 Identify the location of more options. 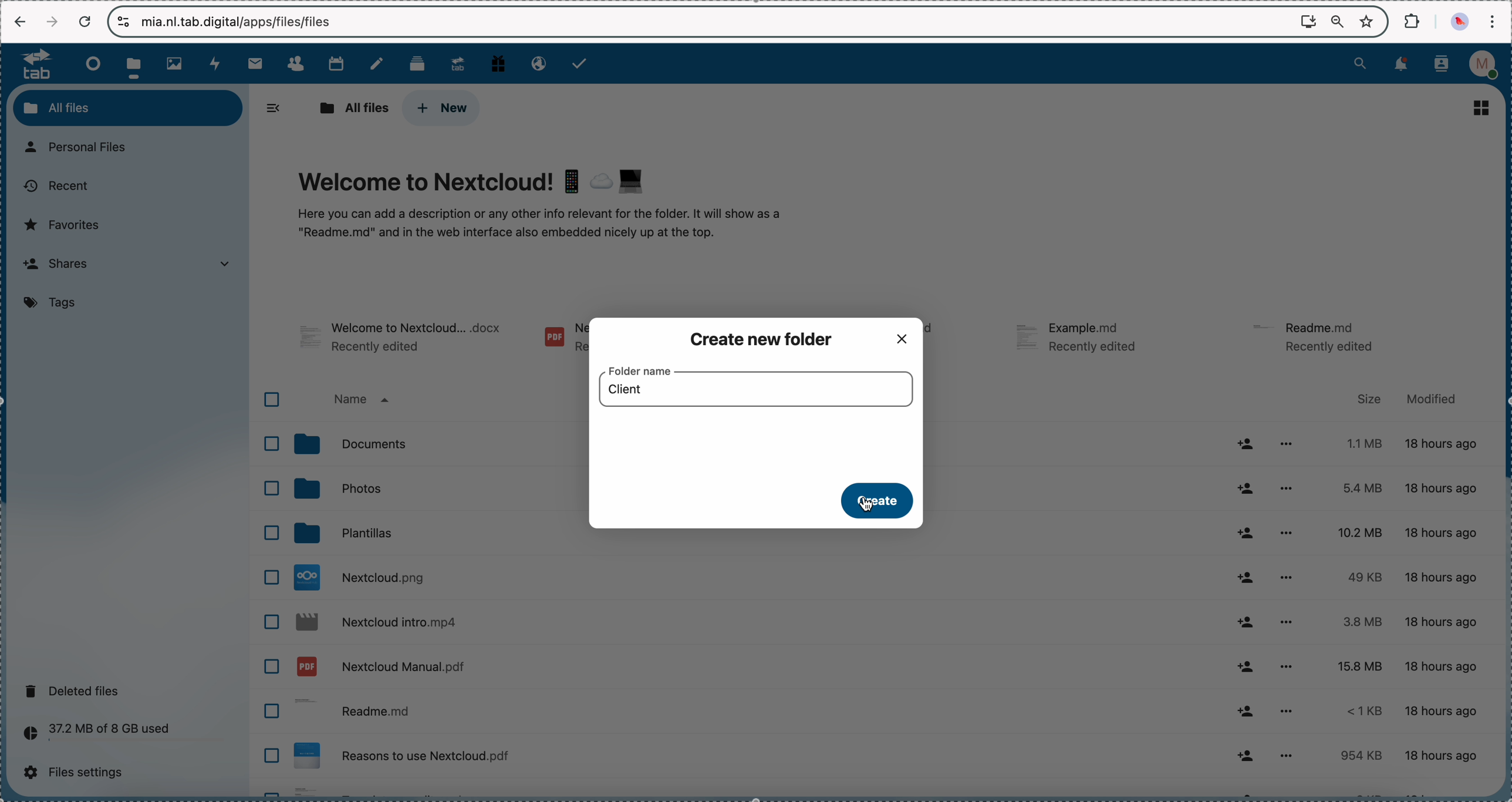
(1287, 489).